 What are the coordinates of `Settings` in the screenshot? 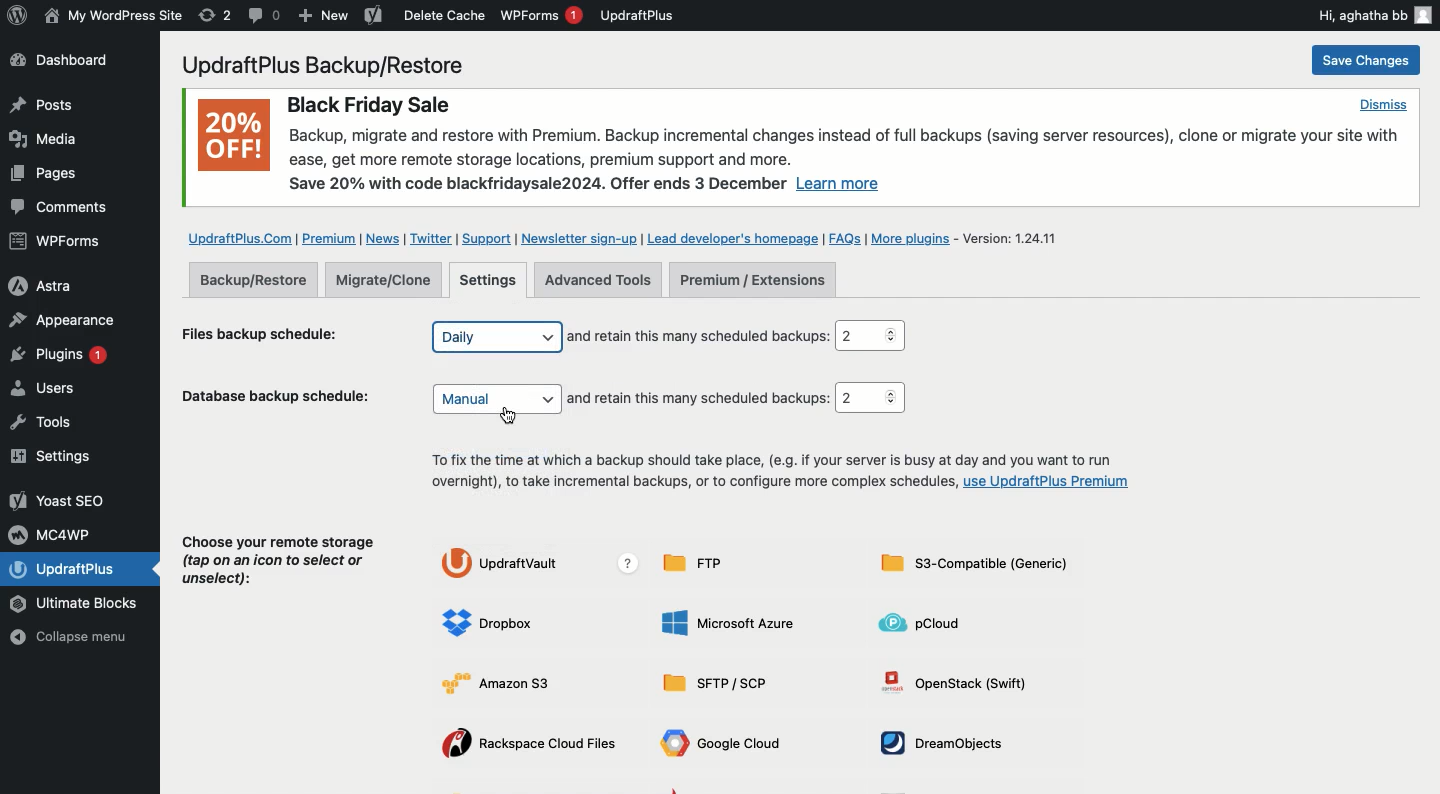 It's located at (490, 281).